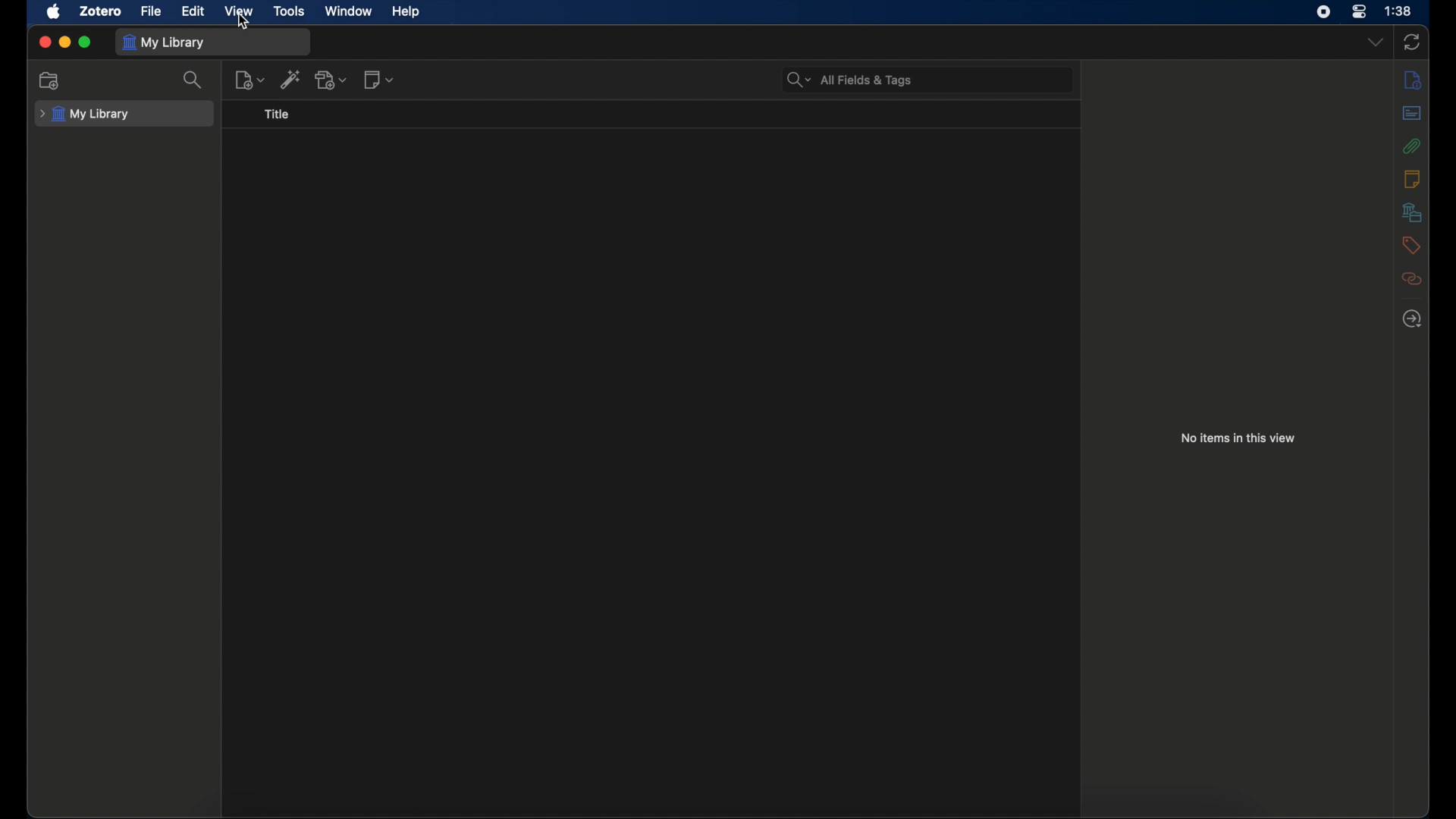  I want to click on dropdown, so click(1375, 43).